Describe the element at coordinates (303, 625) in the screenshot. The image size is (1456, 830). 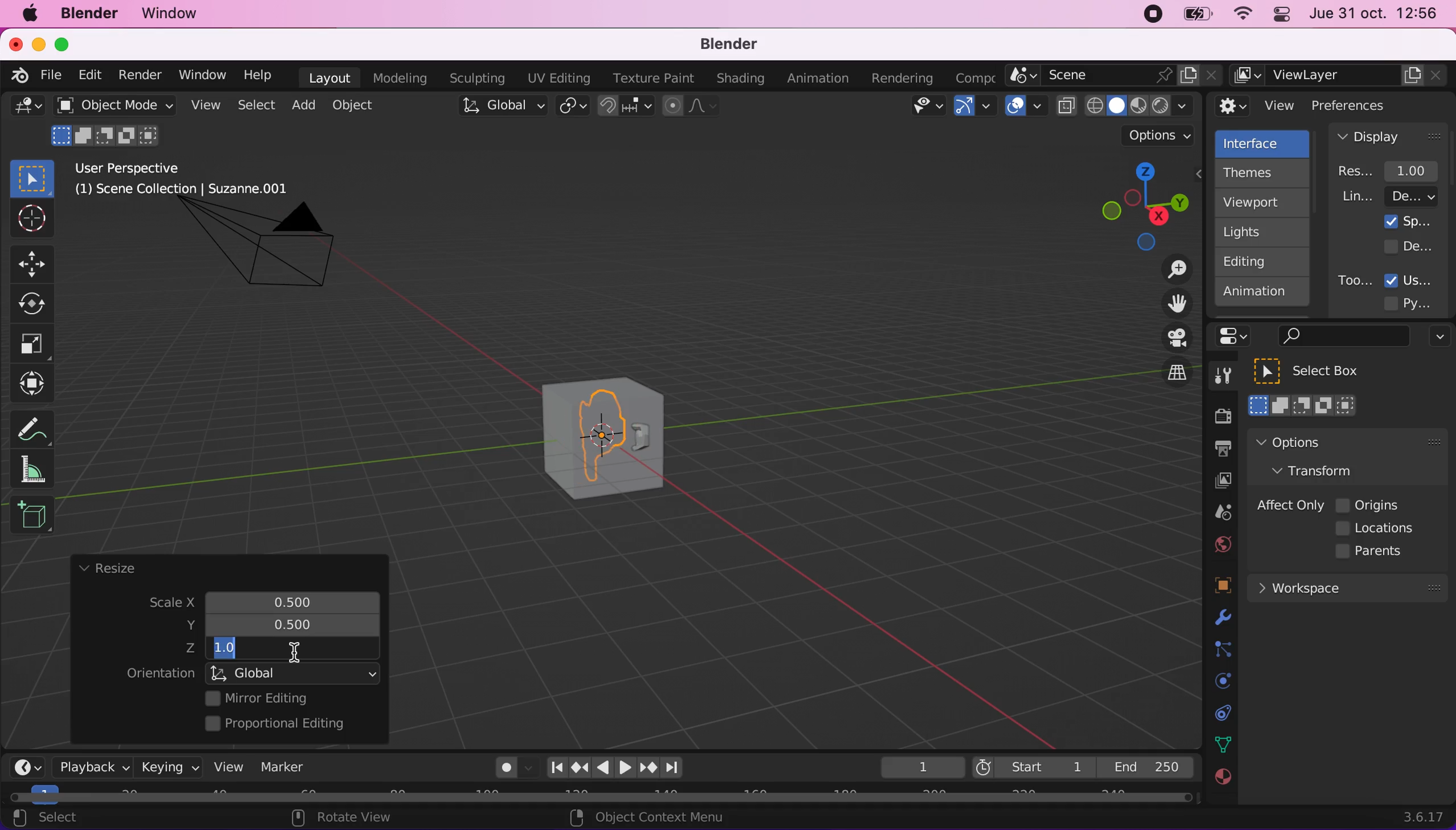
I see `resized scale y` at that location.